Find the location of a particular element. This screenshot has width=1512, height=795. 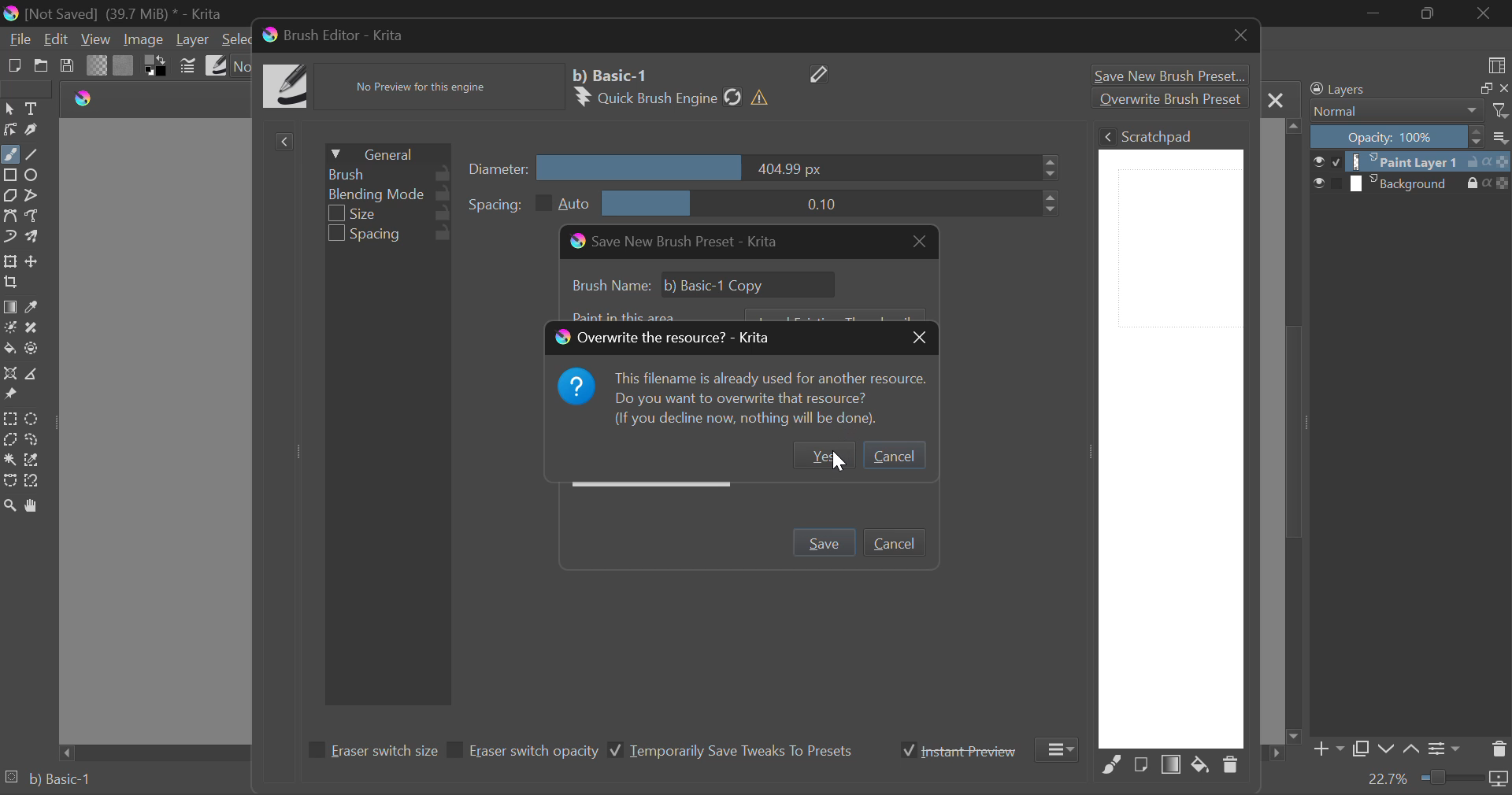

Reference Images is located at coordinates (10, 396).